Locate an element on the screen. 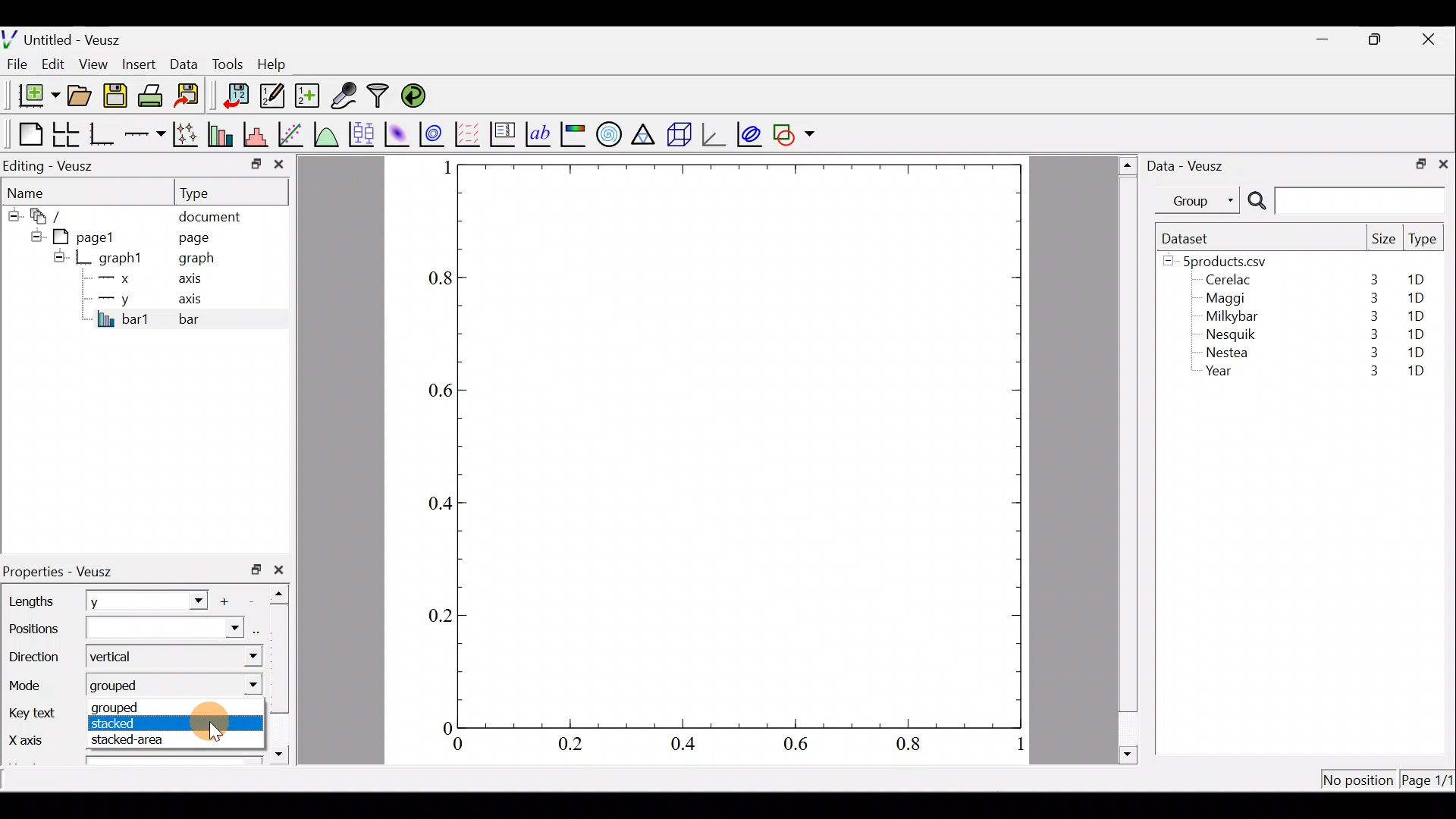 The height and width of the screenshot is (819, 1456). 1D is located at coordinates (1416, 372).